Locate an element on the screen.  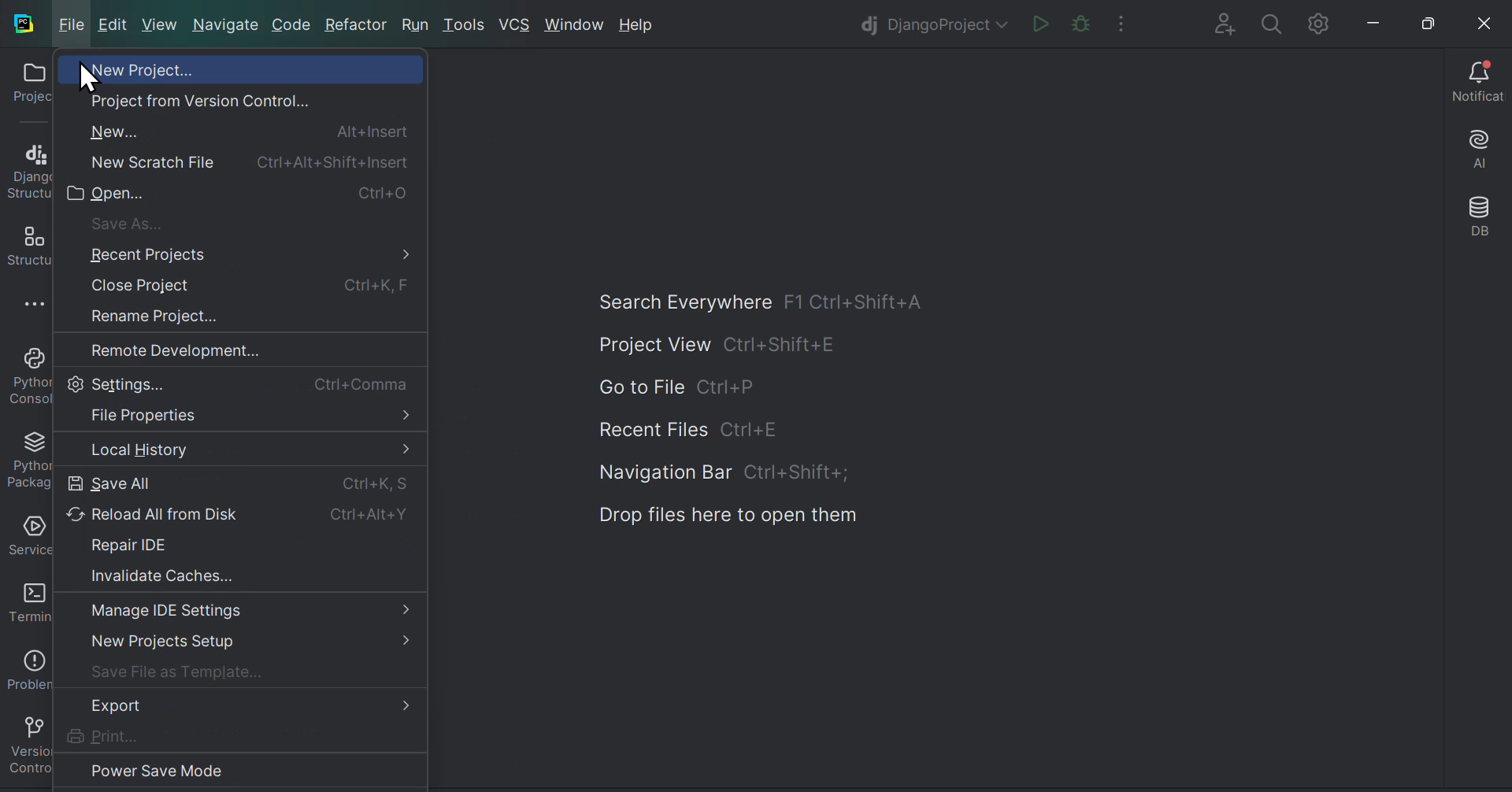
Project view is located at coordinates (721, 343).